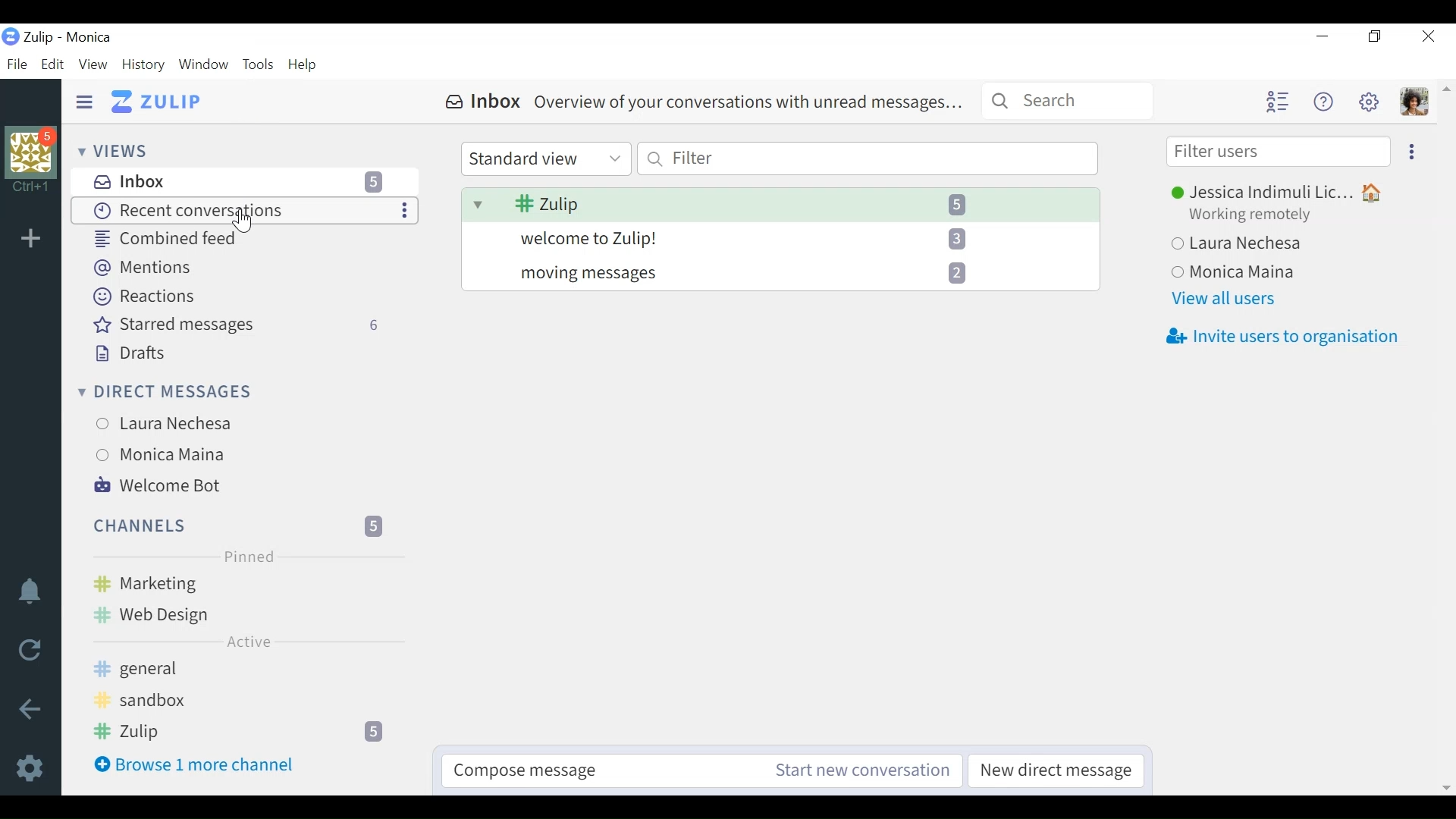 The height and width of the screenshot is (819, 1456). I want to click on Compose message Start new conversation, so click(700, 769).